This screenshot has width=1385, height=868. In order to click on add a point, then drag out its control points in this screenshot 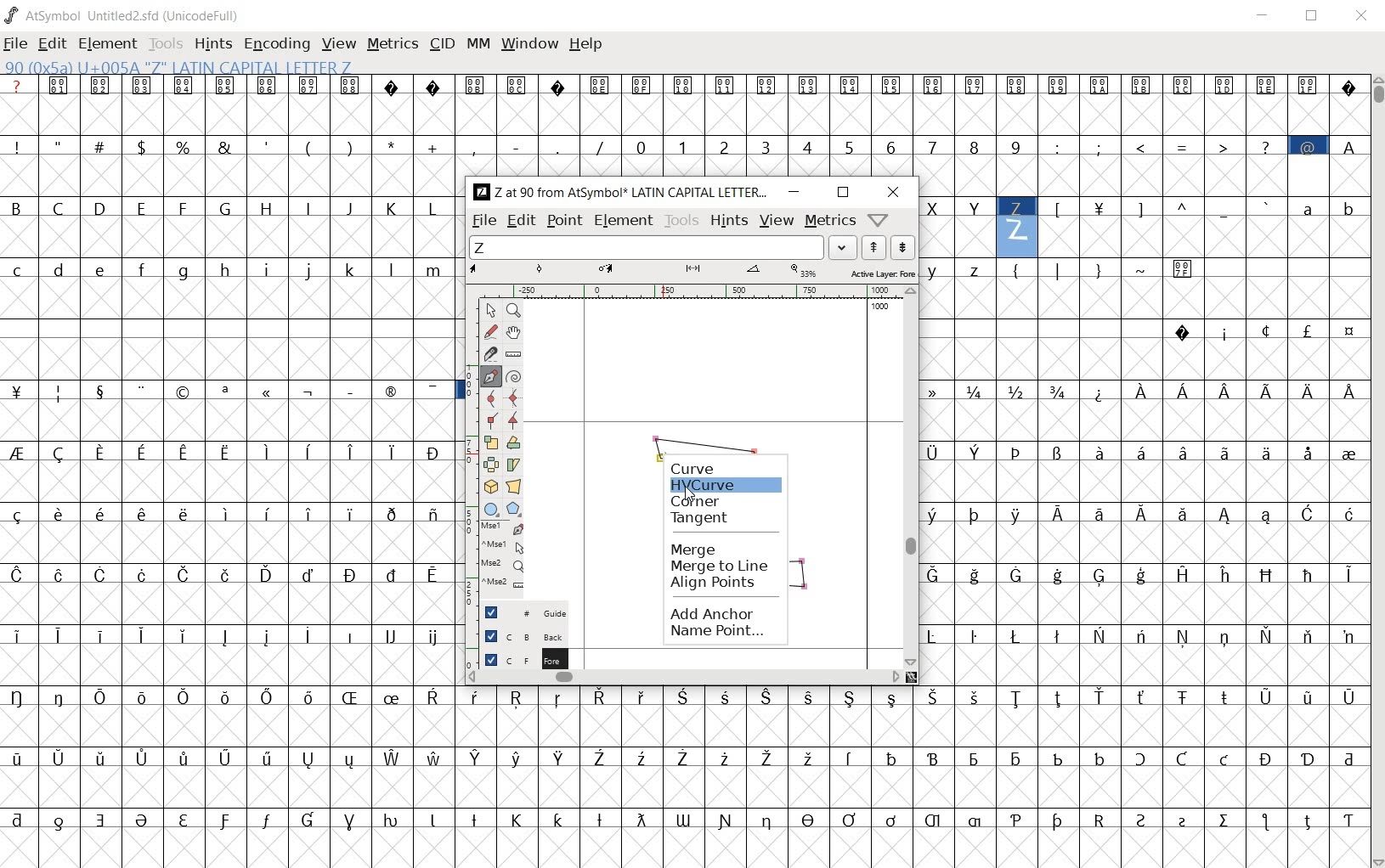, I will do `click(489, 376)`.